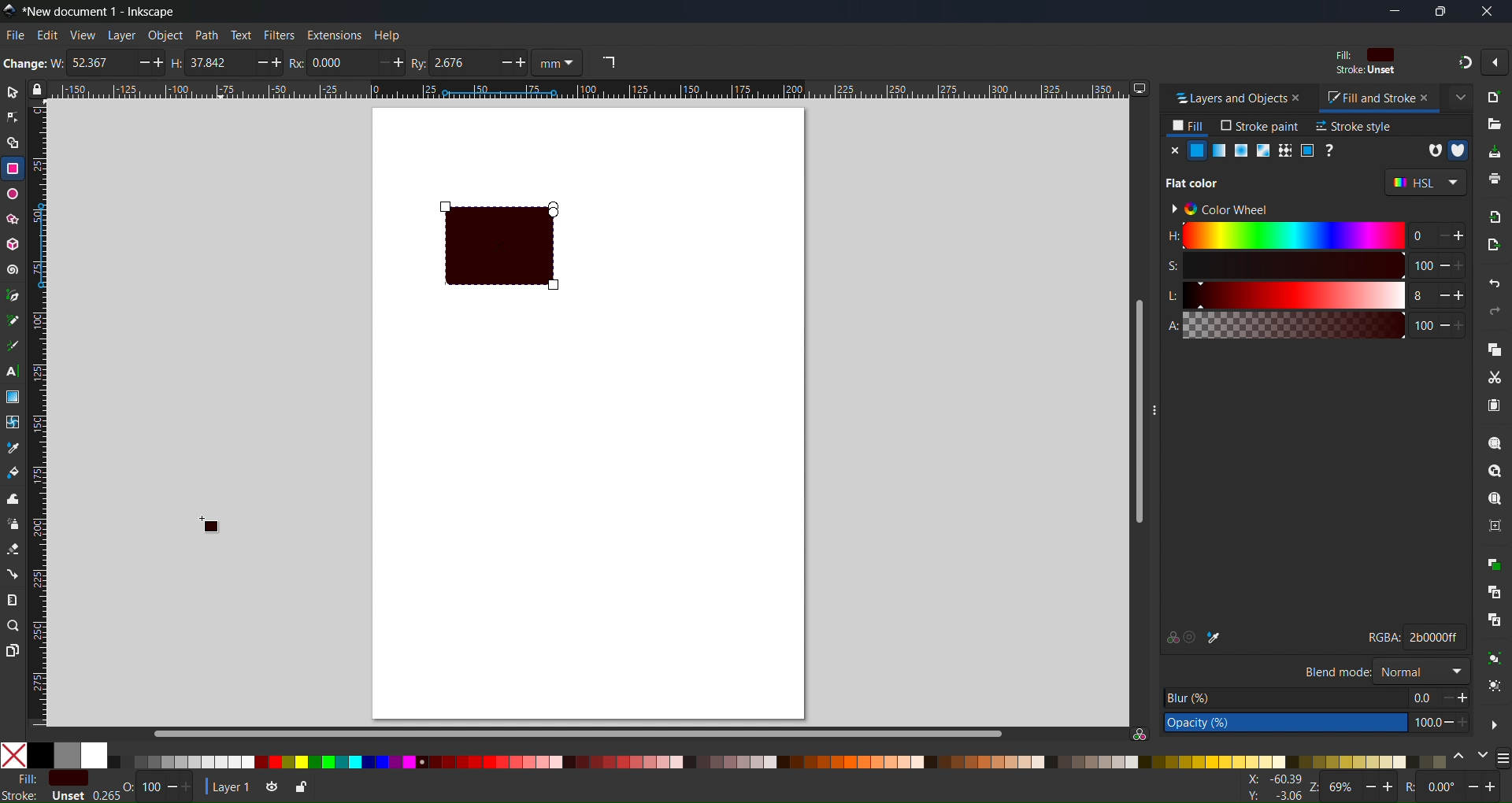  Describe the element at coordinates (13, 294) in the screenshot. I see `Pen tool` at that location.